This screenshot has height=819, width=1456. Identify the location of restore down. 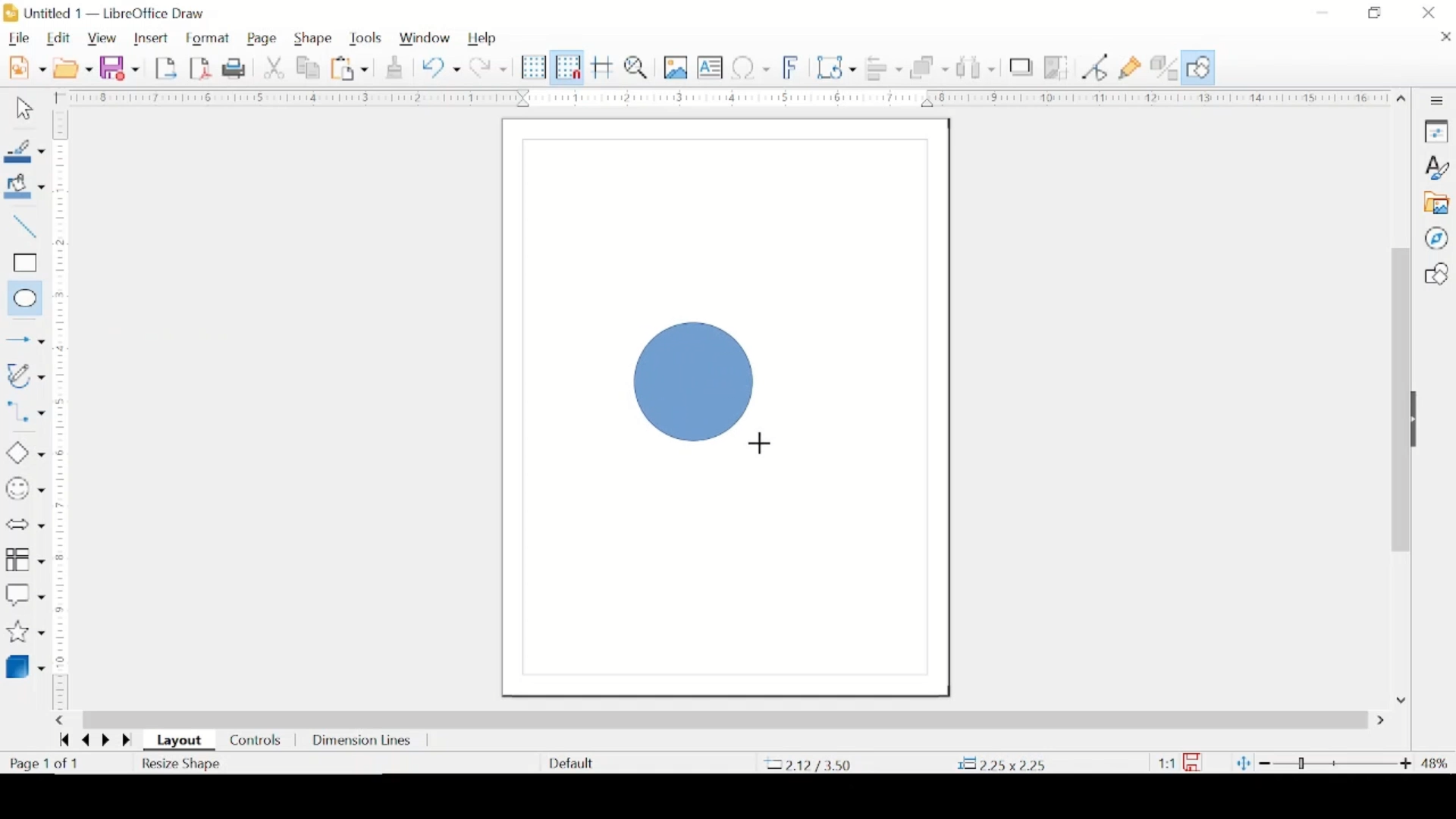
(1376, 13).